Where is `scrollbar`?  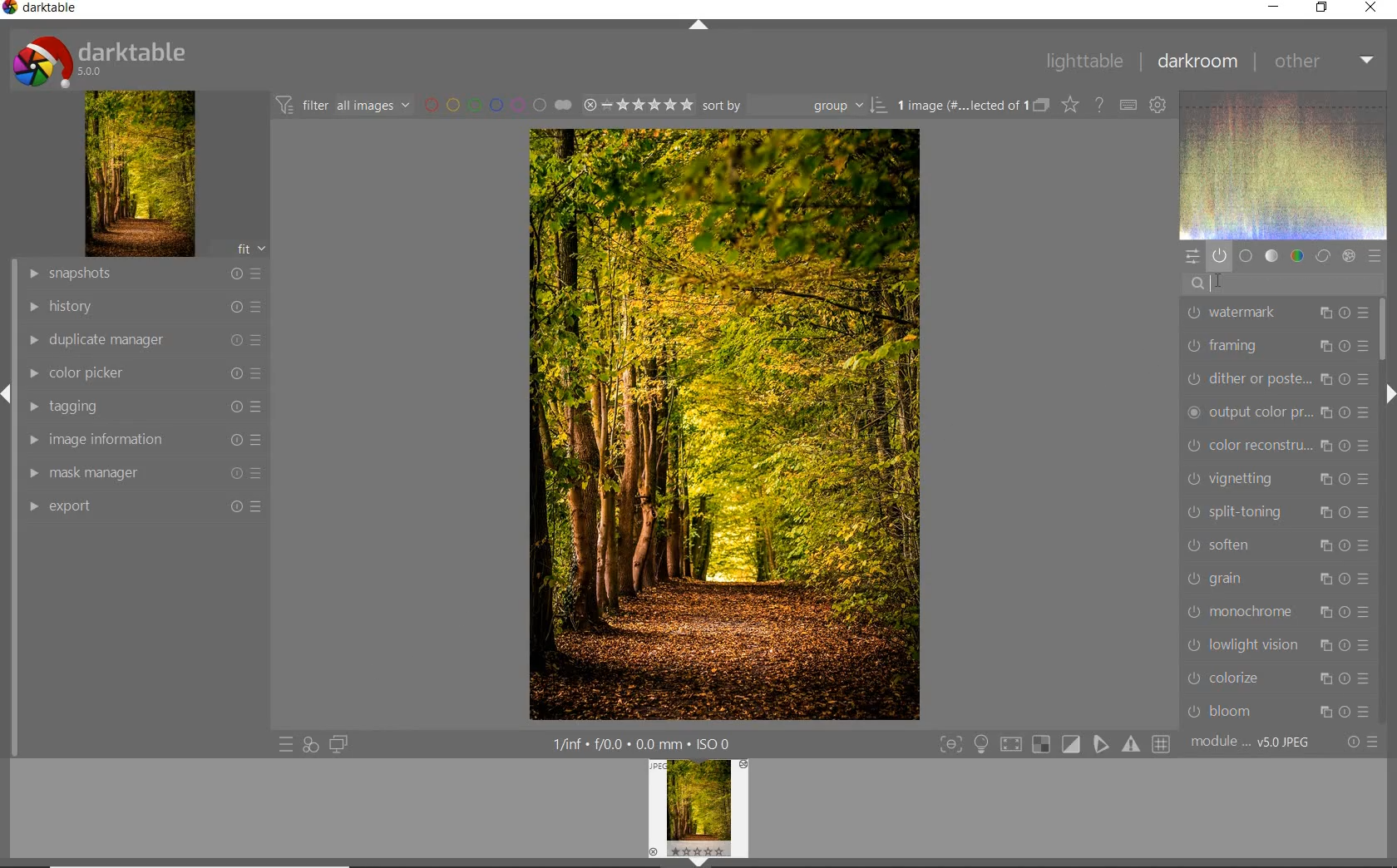 scrollbar is located at coordinates (1384, 330).